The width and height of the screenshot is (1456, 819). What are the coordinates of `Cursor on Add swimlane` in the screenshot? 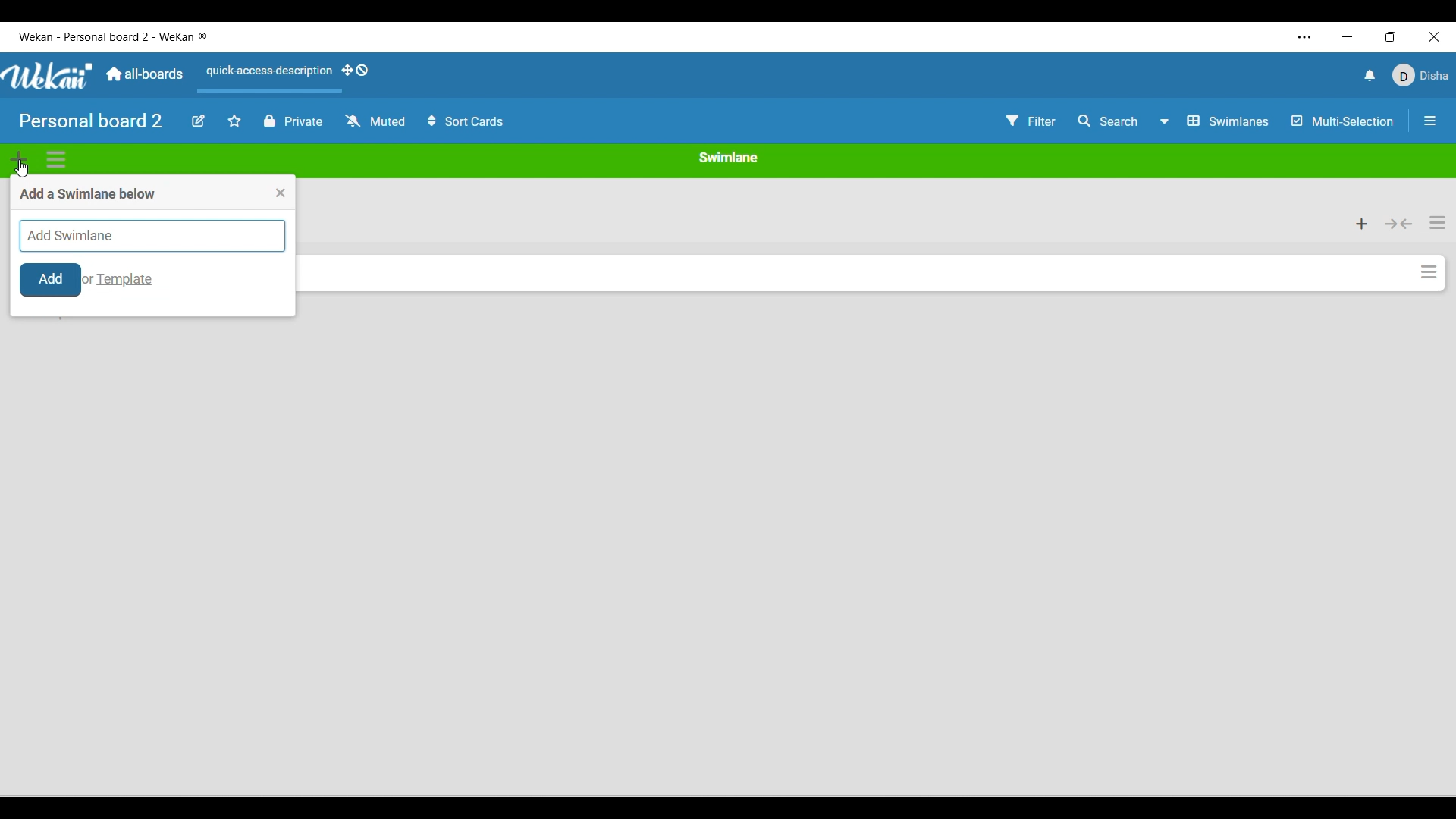 It's located at (22, 162).